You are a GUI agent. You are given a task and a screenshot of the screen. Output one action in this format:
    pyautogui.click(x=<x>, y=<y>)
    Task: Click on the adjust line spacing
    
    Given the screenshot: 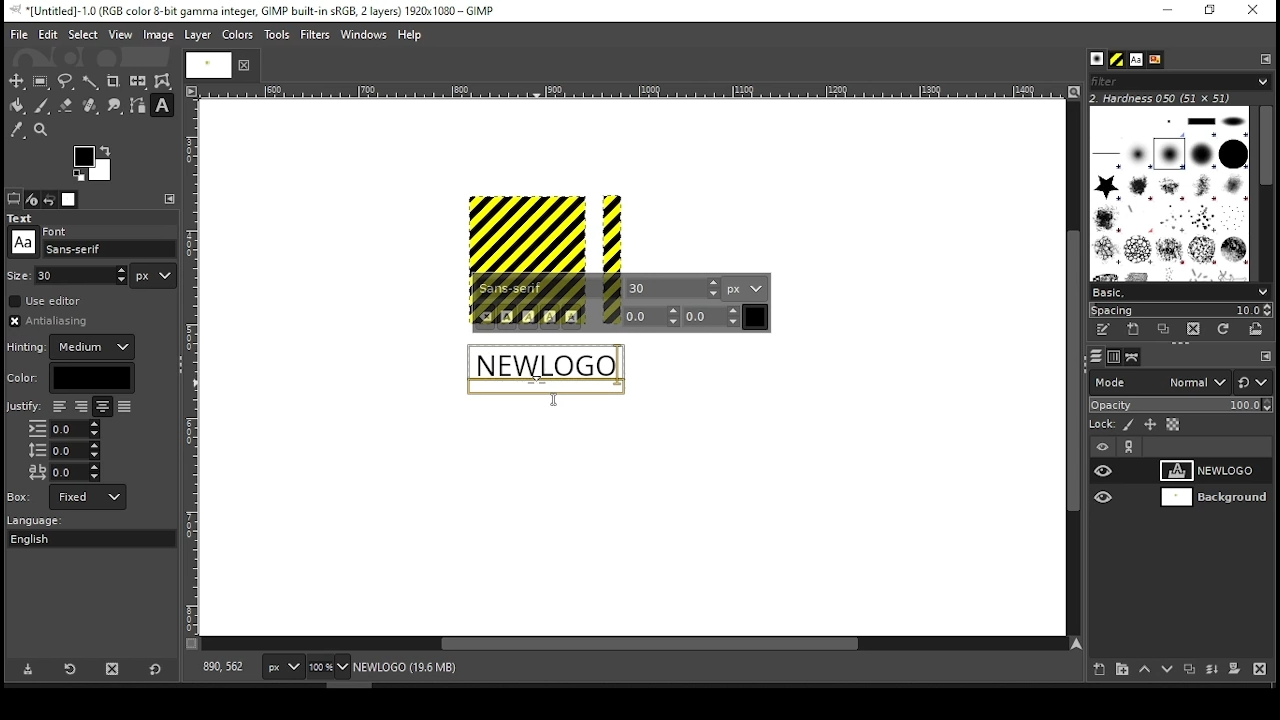 What is the action you would take?
    pyautogui.click(x=64, y=450)
    